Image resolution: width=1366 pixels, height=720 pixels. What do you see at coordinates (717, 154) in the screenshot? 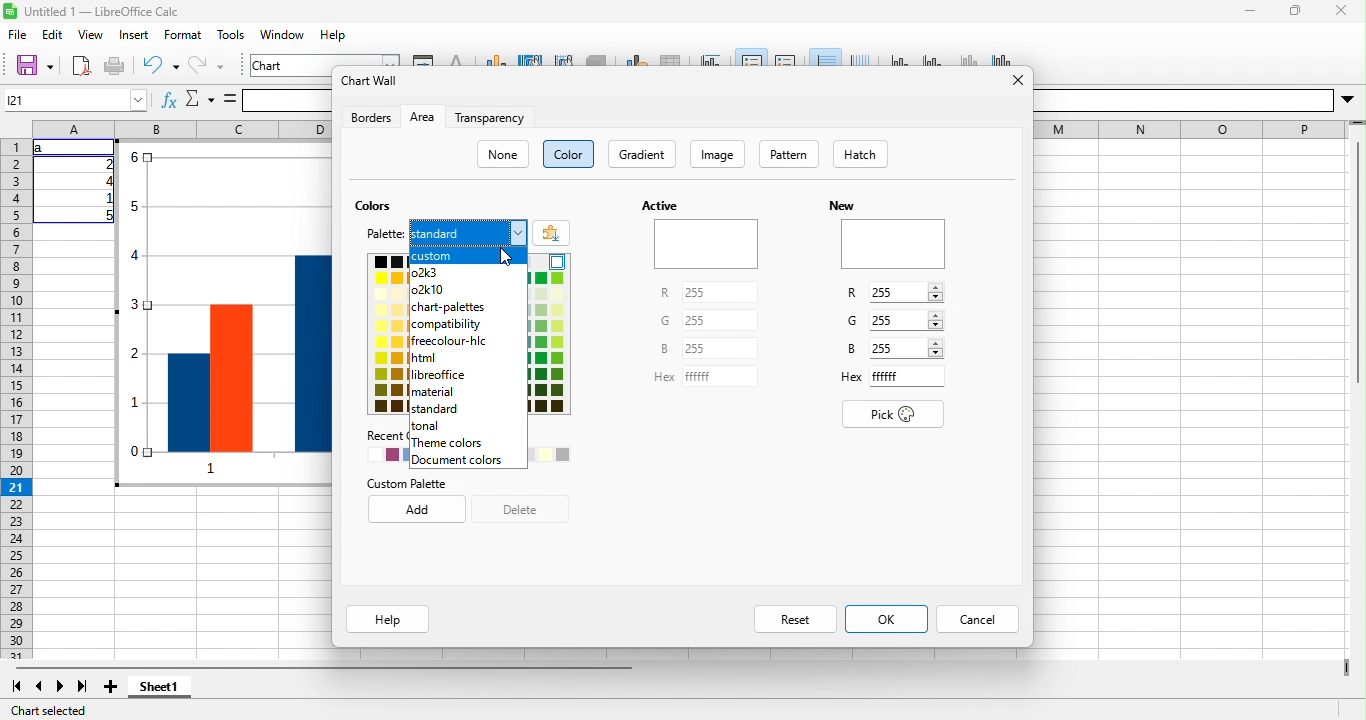
I see `image` at bounding box center [717, 154].